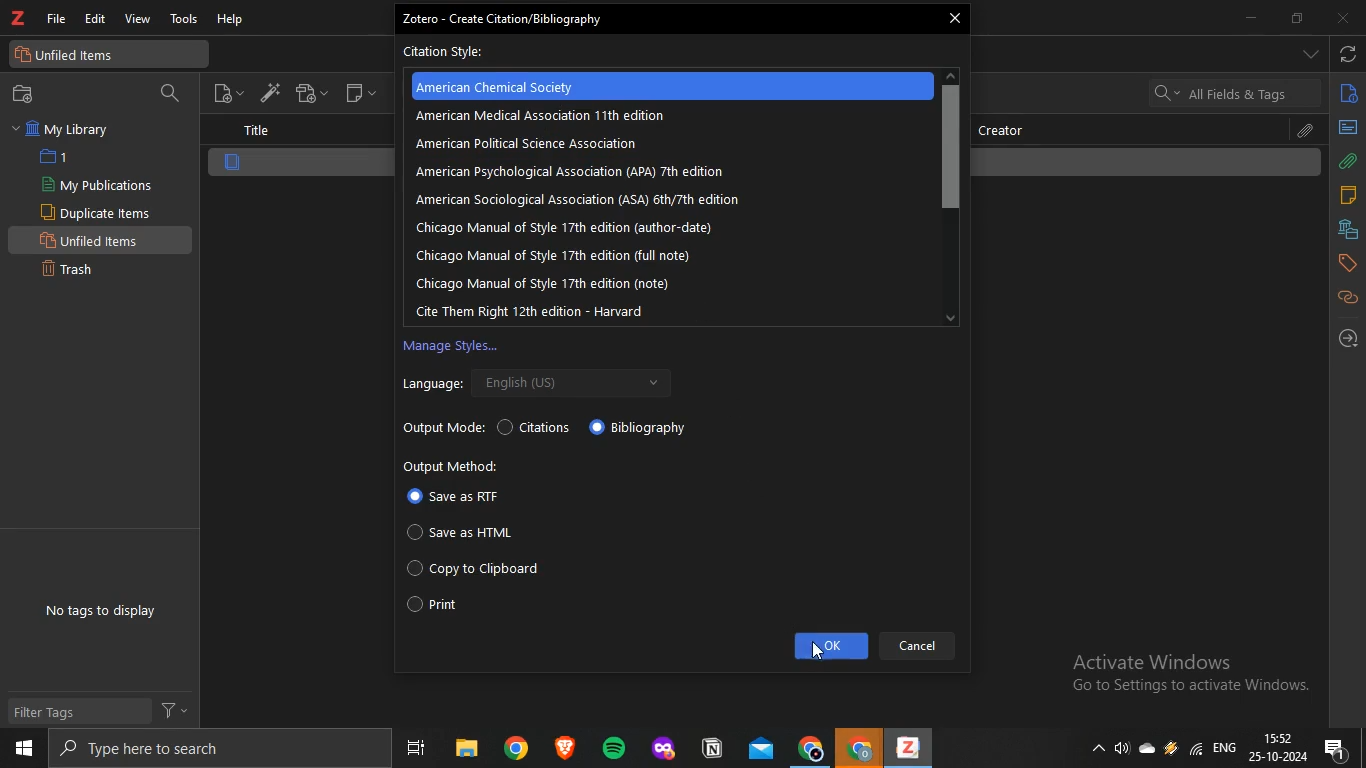 Image resolution: width=1366 pixels, height=768 pixels. What do you see at coordinates (456, 498) in the screenshot?
I see `Save as RTF` at bounding box center [456, 498].